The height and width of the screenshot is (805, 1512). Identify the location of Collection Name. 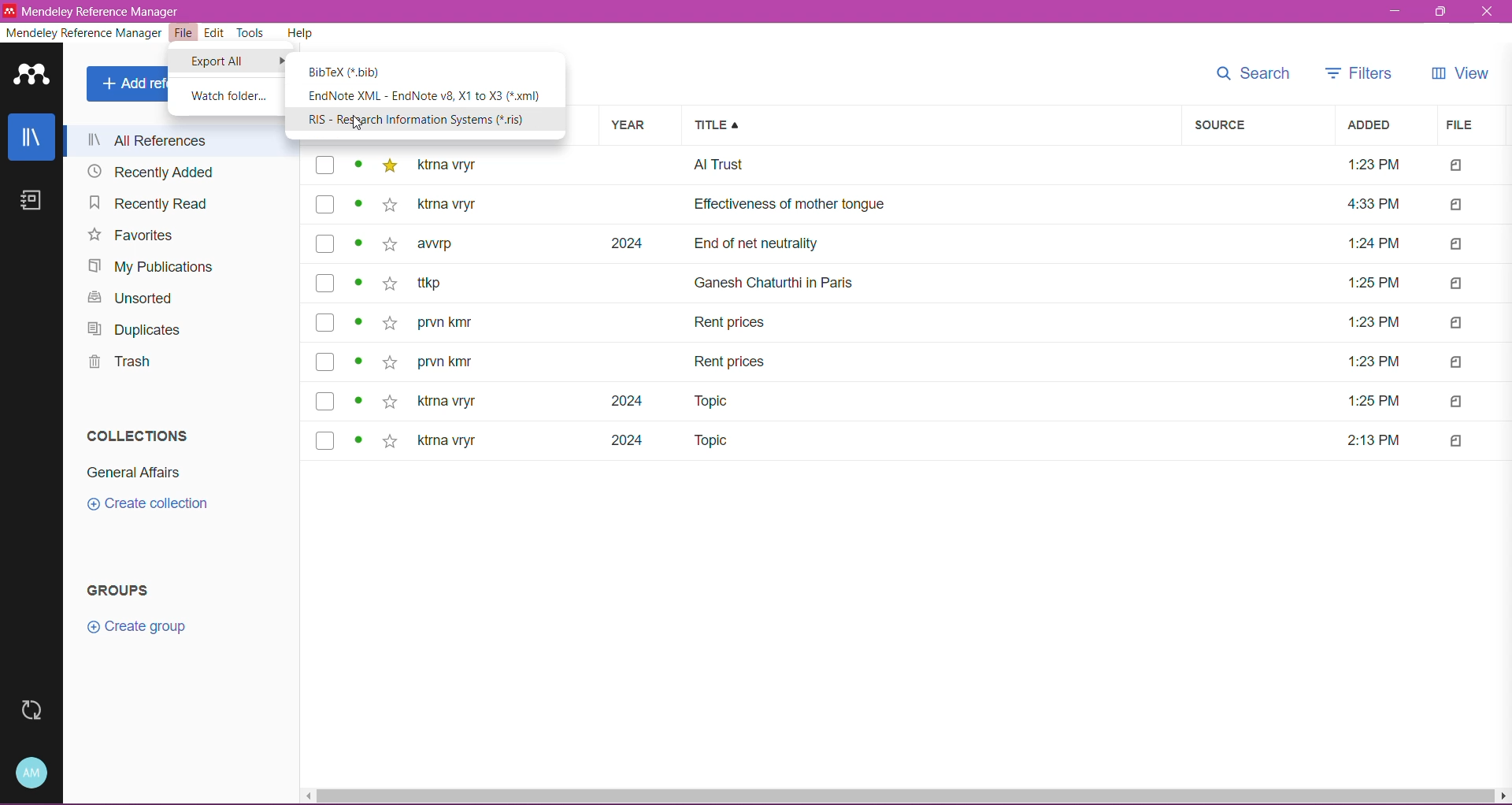
(128, 472).